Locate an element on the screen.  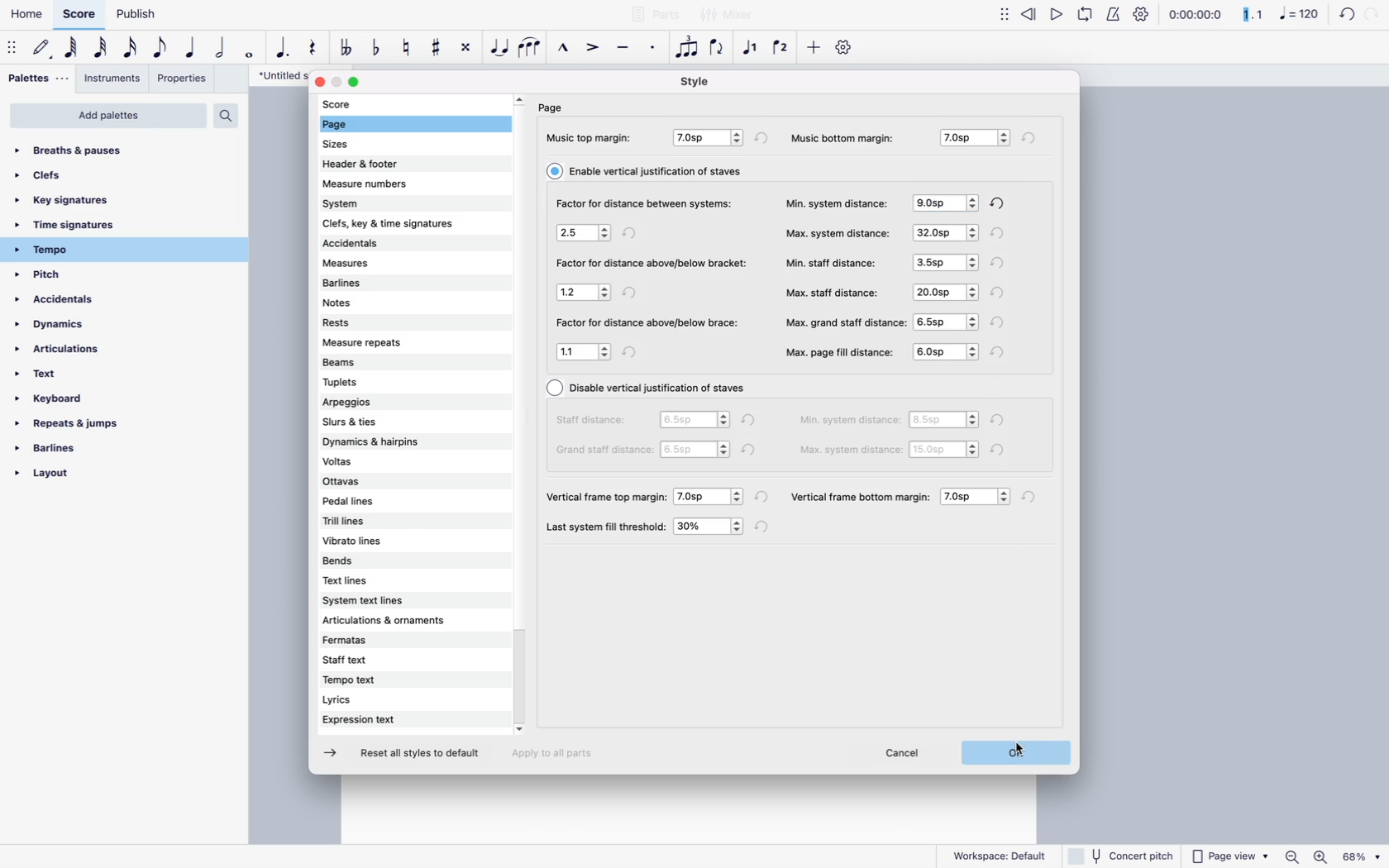
options is located at coordinates (947, 422).